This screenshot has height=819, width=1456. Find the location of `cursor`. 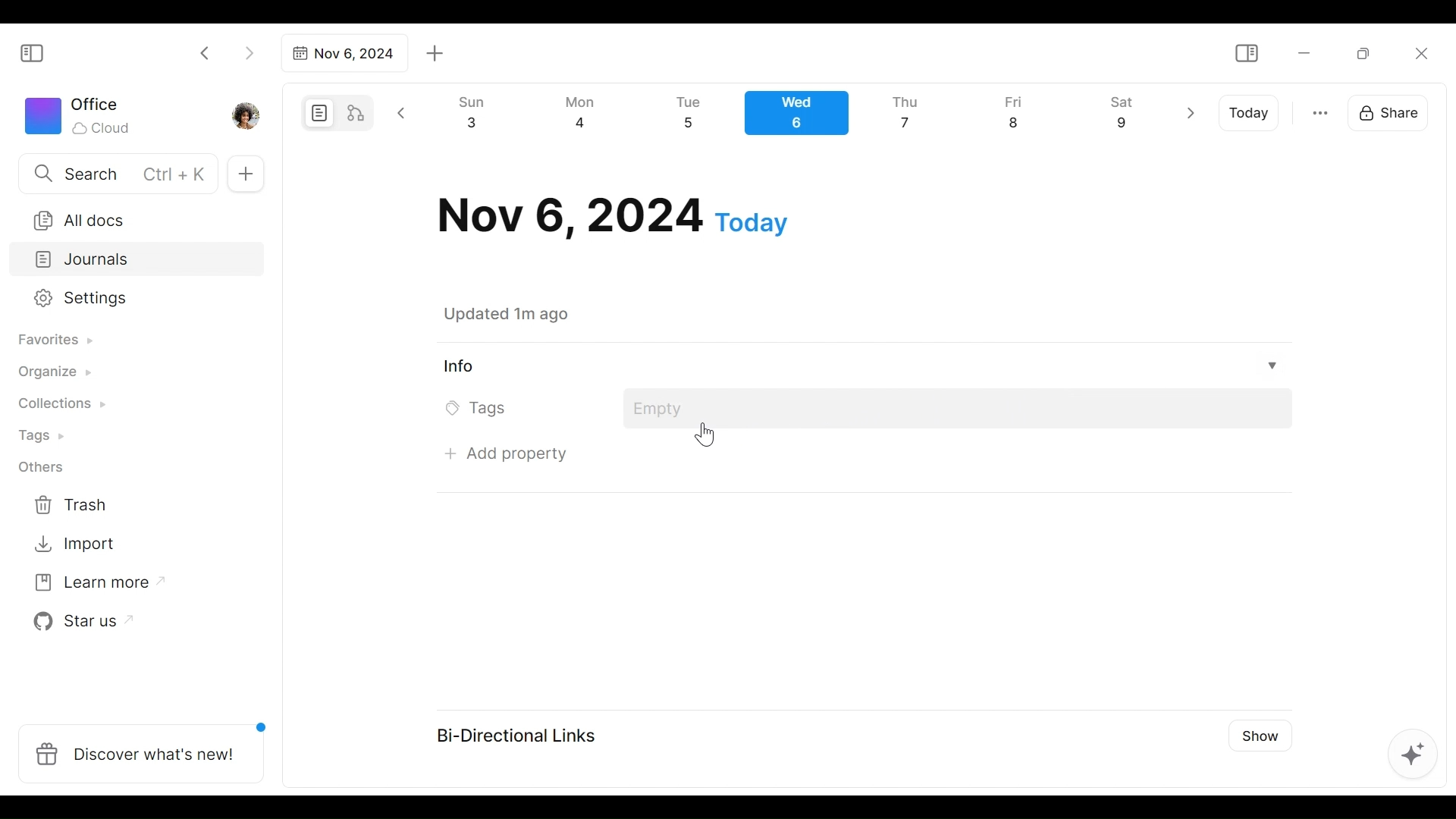

cursor is located at coordinates (704, 438).